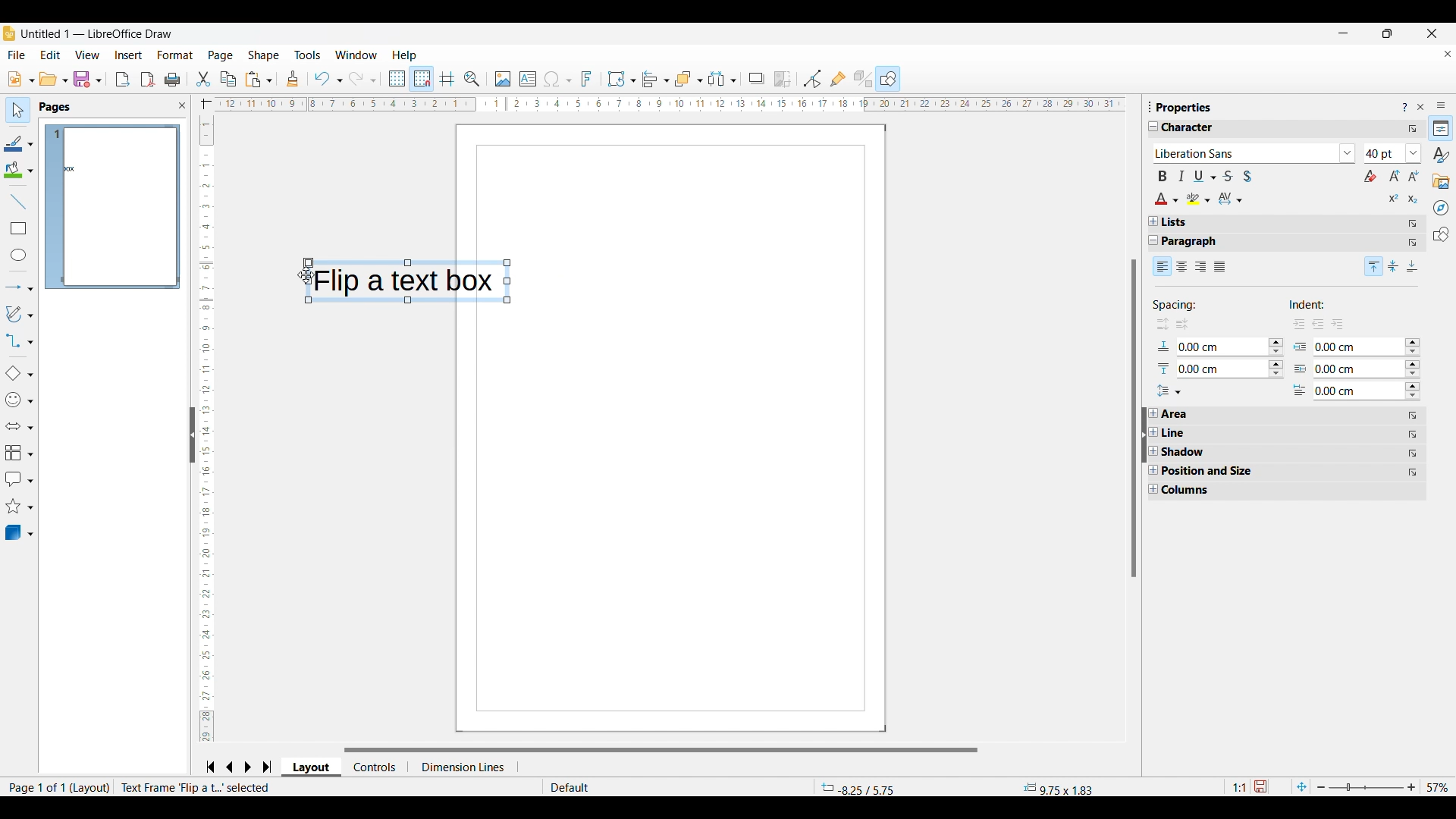  I want to click on Text color options, so click(1167, 199).